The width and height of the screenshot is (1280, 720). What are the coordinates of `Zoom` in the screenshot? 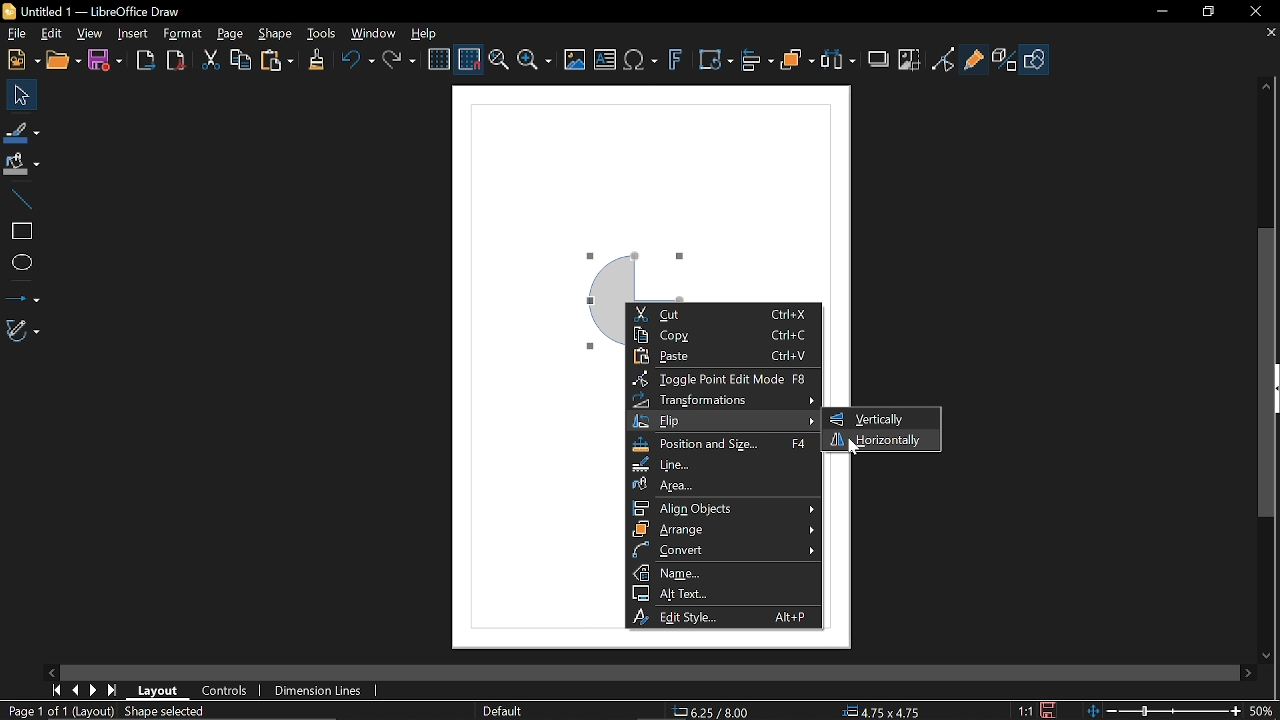 It's located at (534, 59).